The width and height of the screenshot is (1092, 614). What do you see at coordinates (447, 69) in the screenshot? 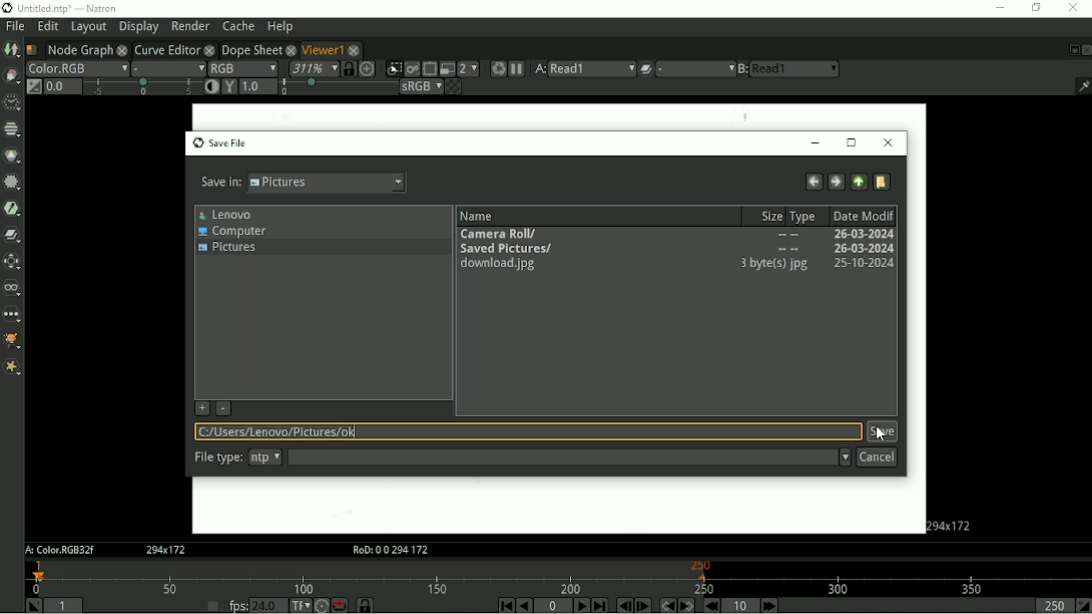
I see `Proxy mode` at bounding box center [447, 69].